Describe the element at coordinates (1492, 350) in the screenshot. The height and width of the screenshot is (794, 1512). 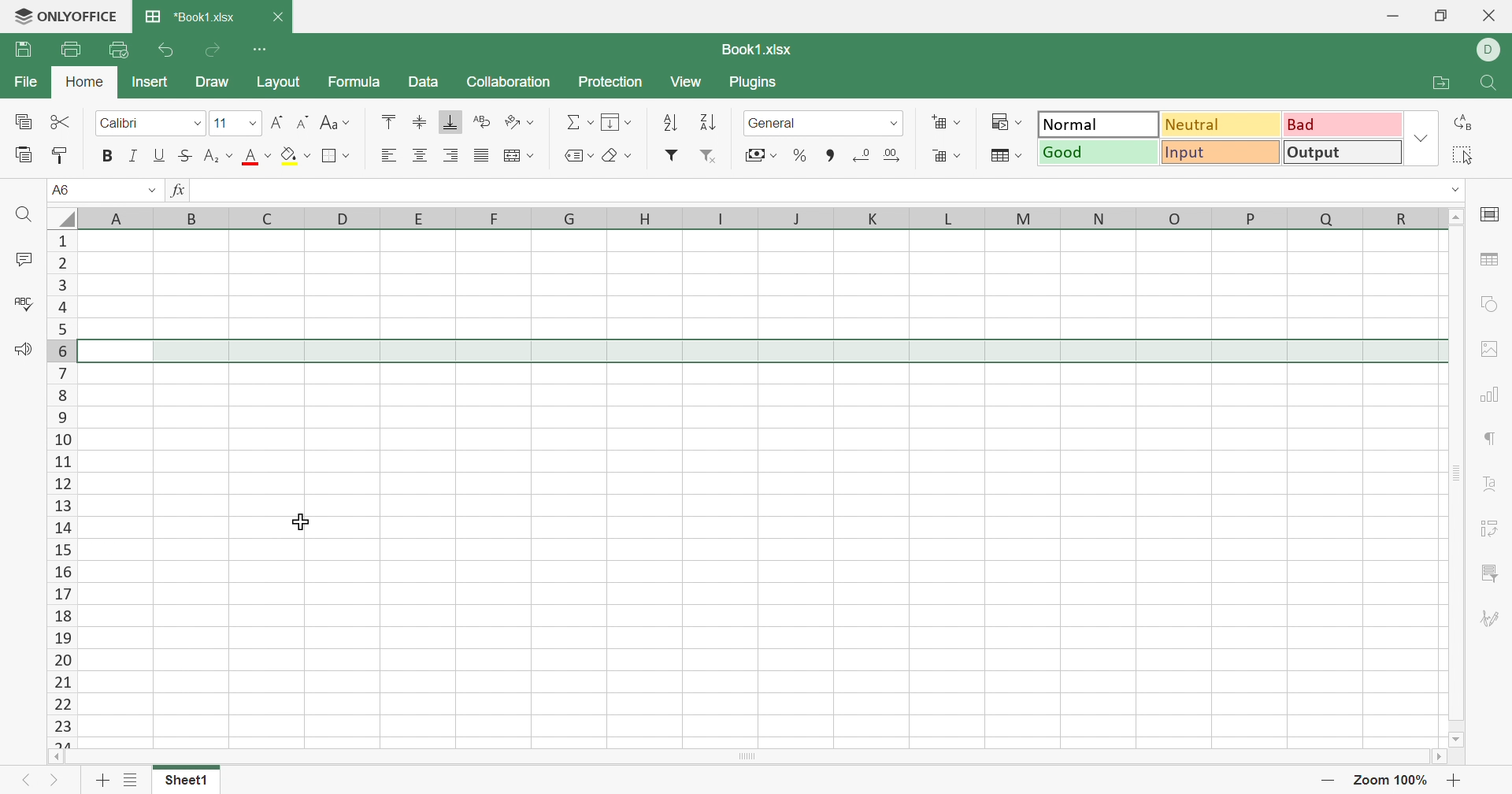
I see `Image settings` at that location.